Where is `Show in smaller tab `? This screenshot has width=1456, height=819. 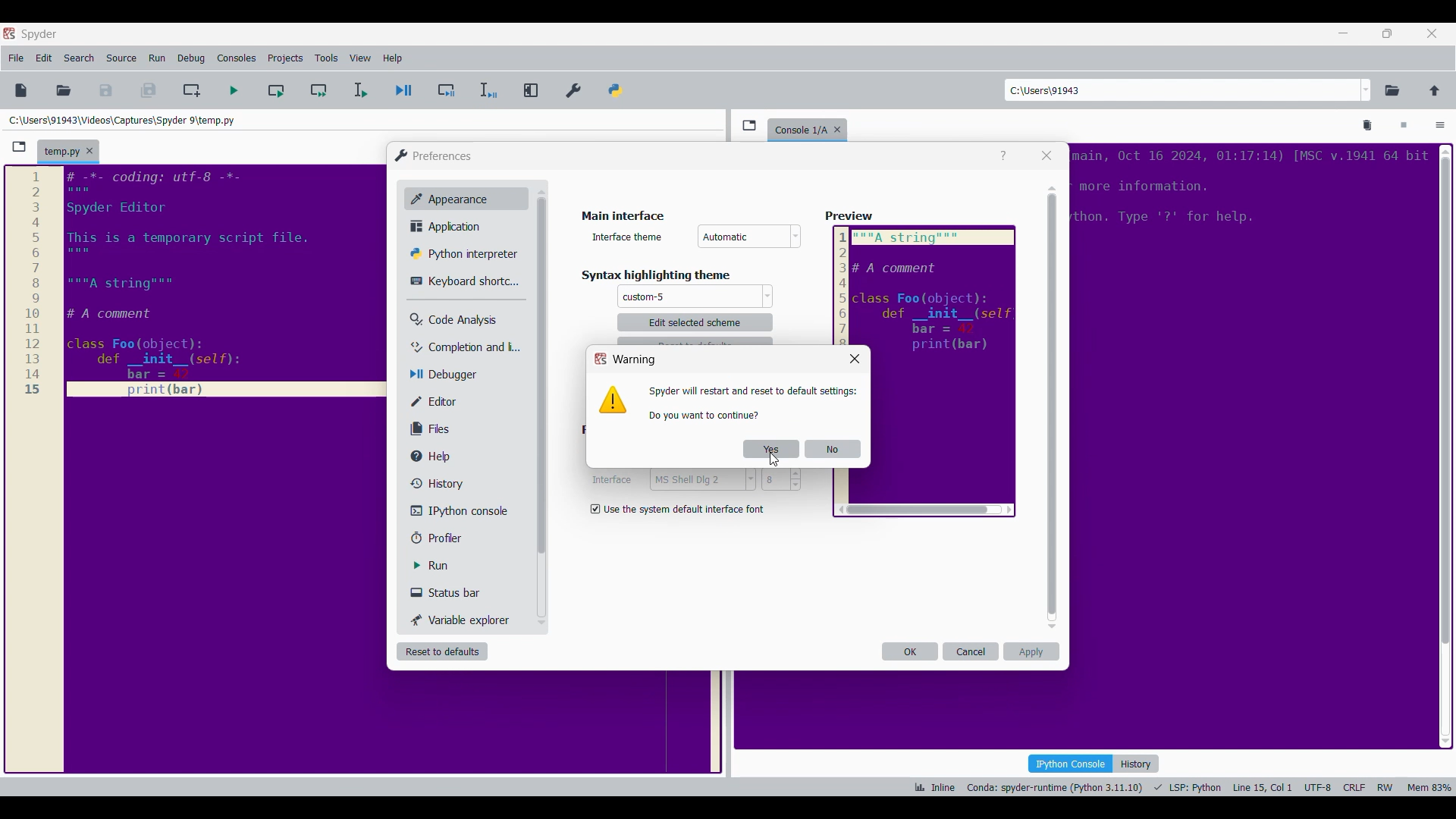 Show in smaller tab  is located at coordinates (1387, 33).